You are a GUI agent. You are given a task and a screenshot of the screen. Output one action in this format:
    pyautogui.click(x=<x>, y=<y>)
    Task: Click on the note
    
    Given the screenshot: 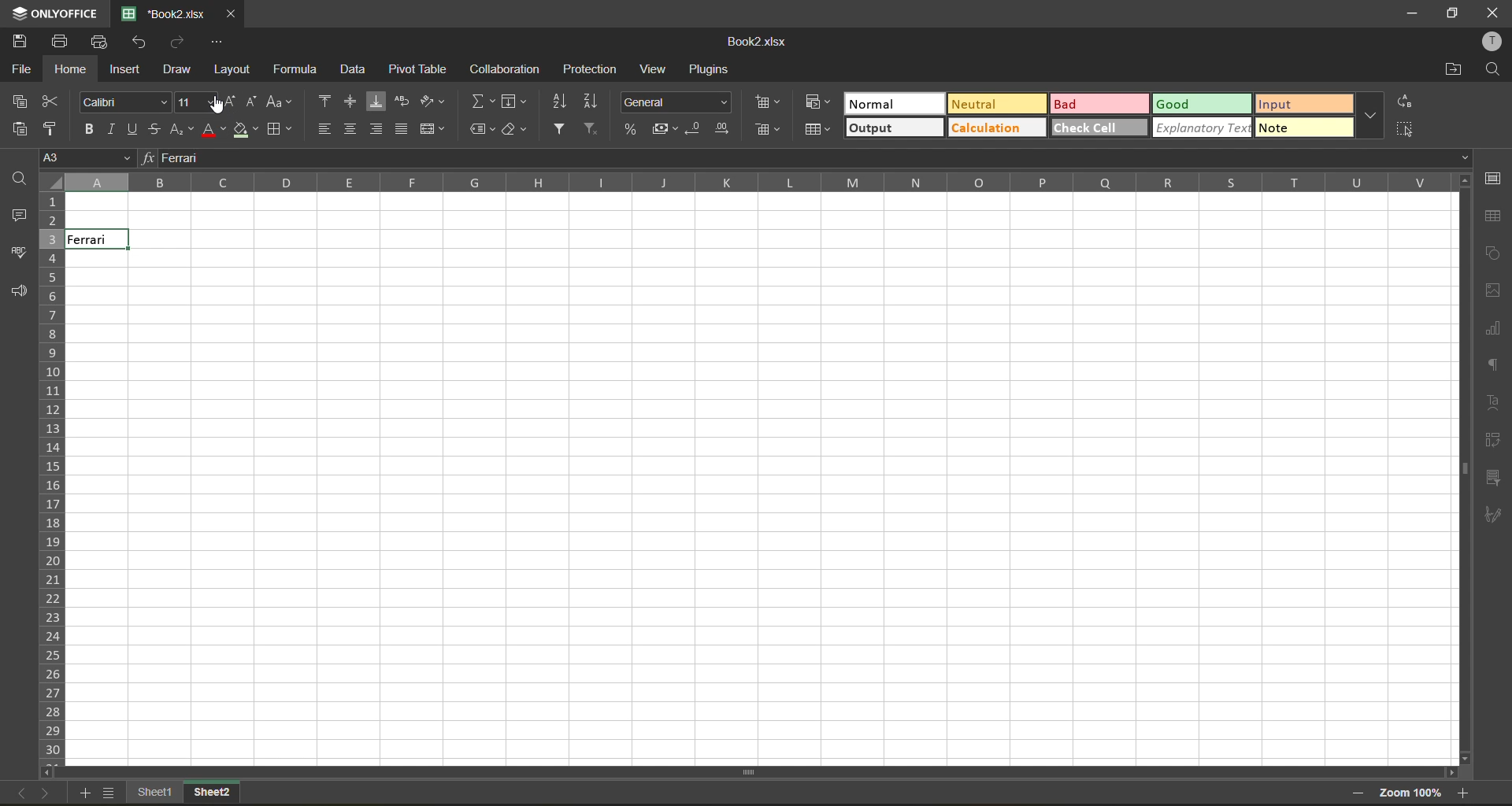 What is the action you would take?
    pyautogui.click(x=1306, y=128)
    